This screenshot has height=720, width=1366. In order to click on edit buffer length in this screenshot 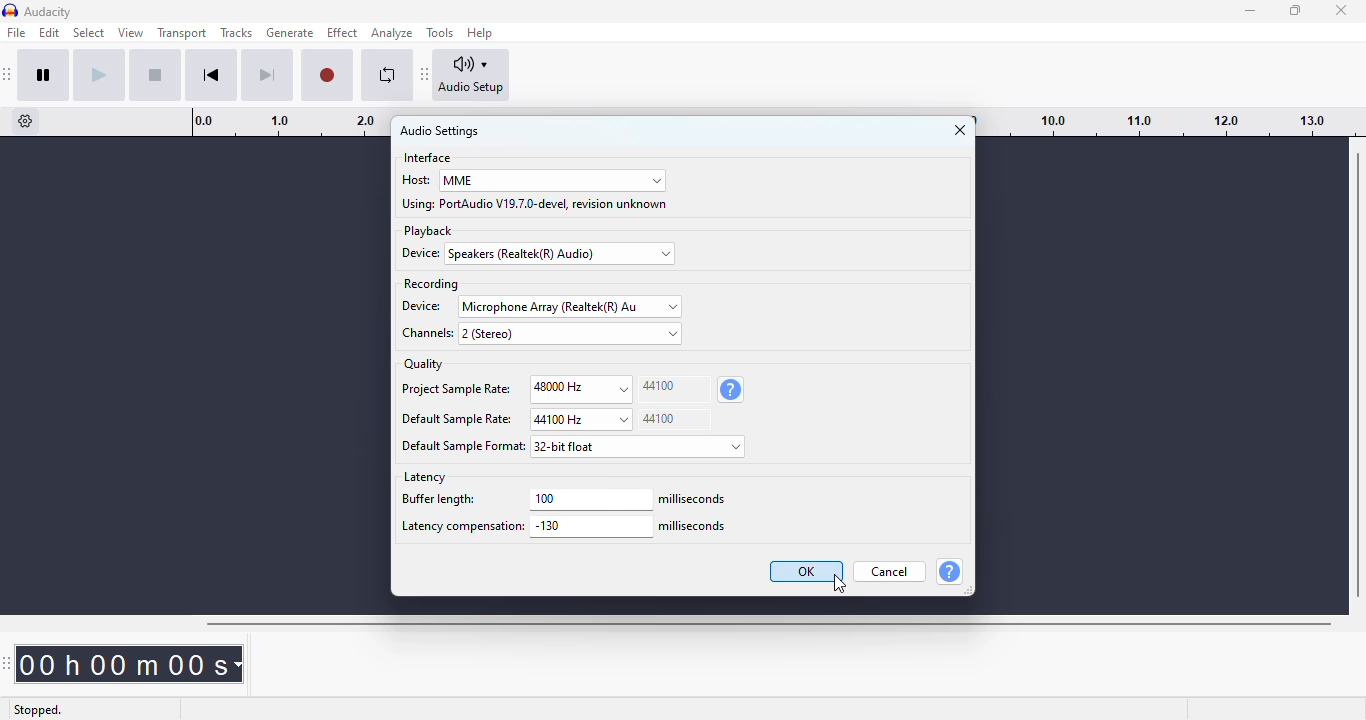, I will do `click(591, 499)`.